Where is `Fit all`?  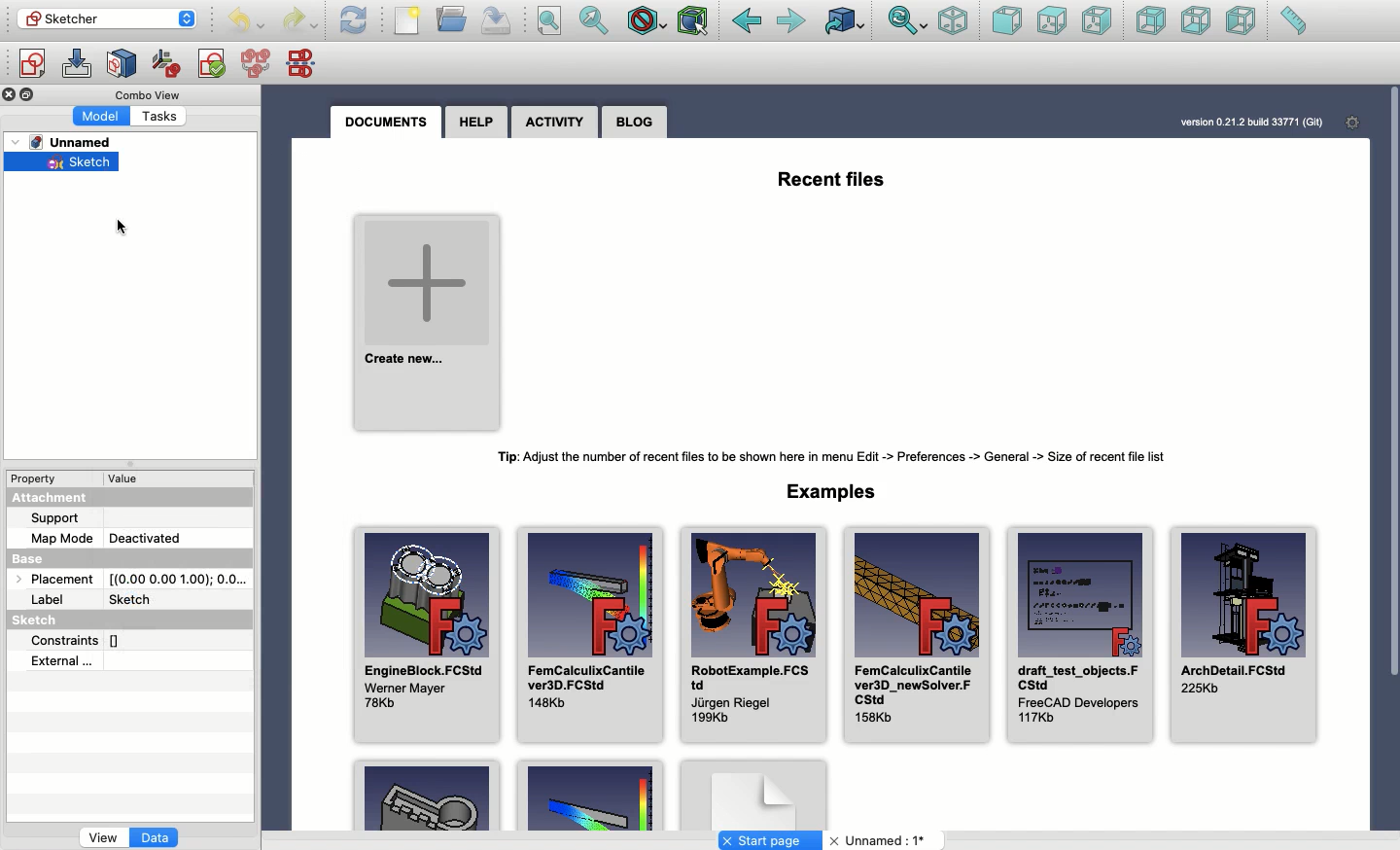 Fit all is located at coordinates (548, 21).